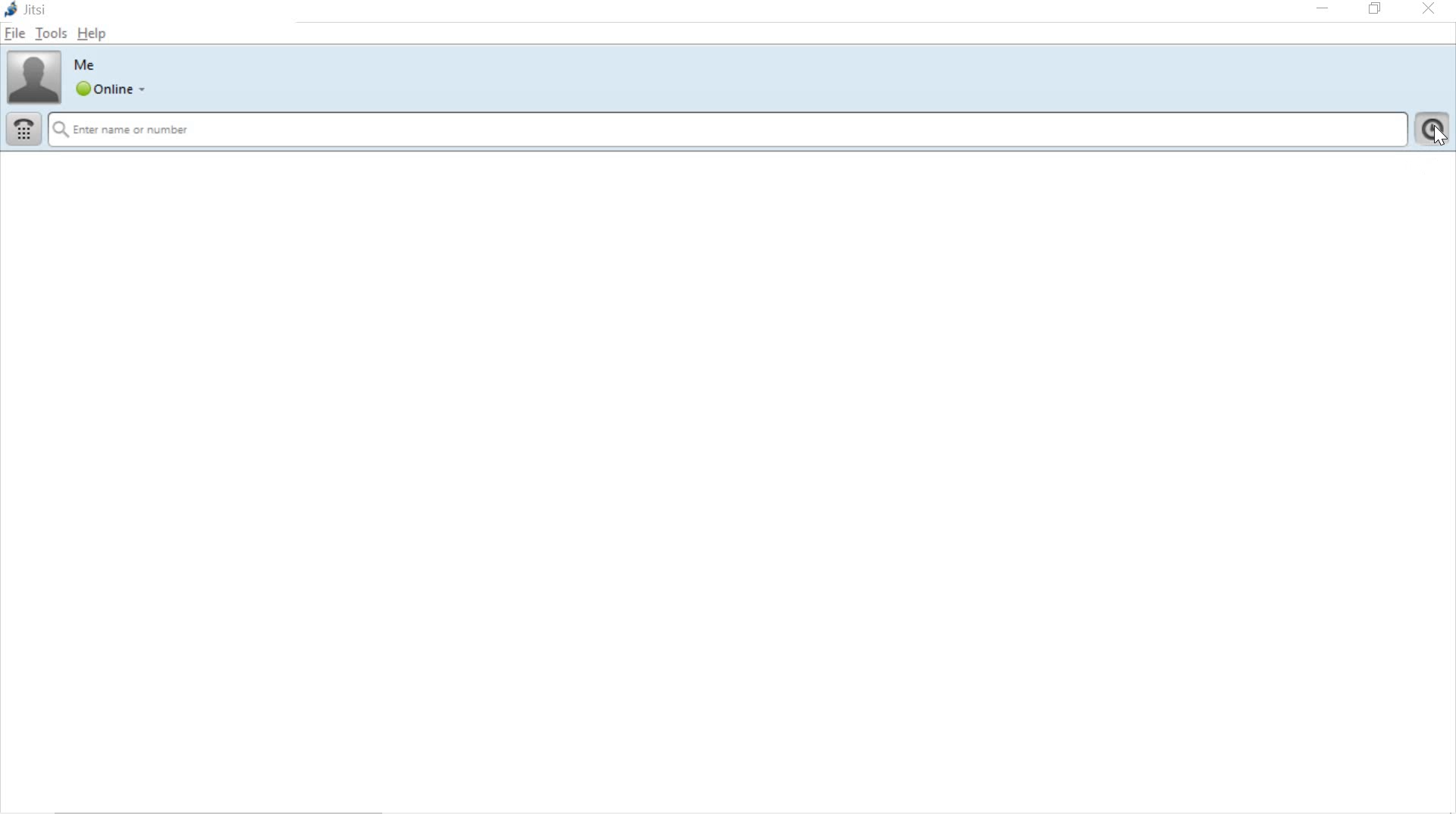  Describe the element at coordinates (1435, 129) in the screenshot. I see ` show call history` at that location.